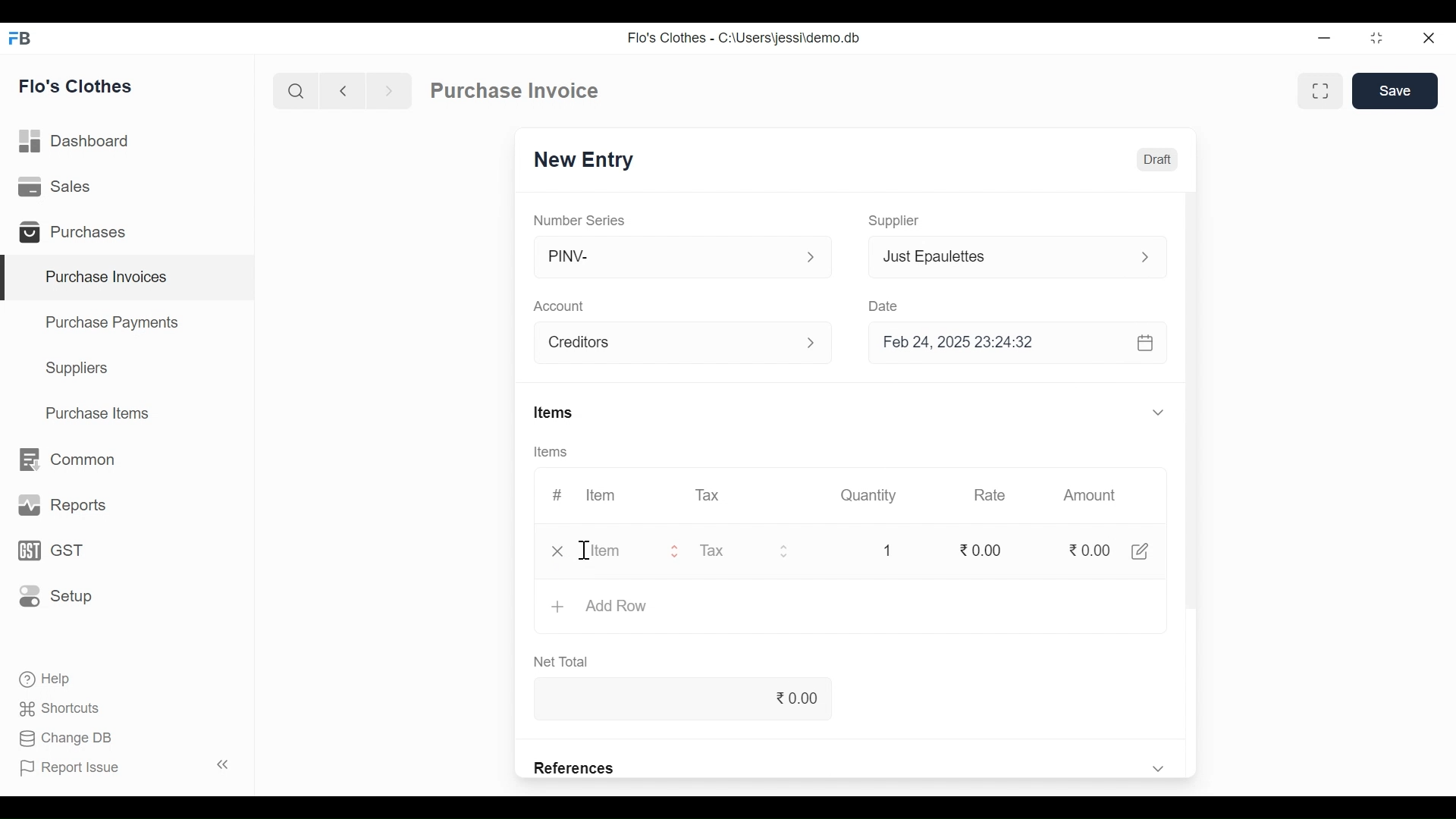 This screenshot has height=819, width=1456. What do you see at coordinates (580, 219) in the screenshot?
I see `Number Series` at bounding box center [580, 219].